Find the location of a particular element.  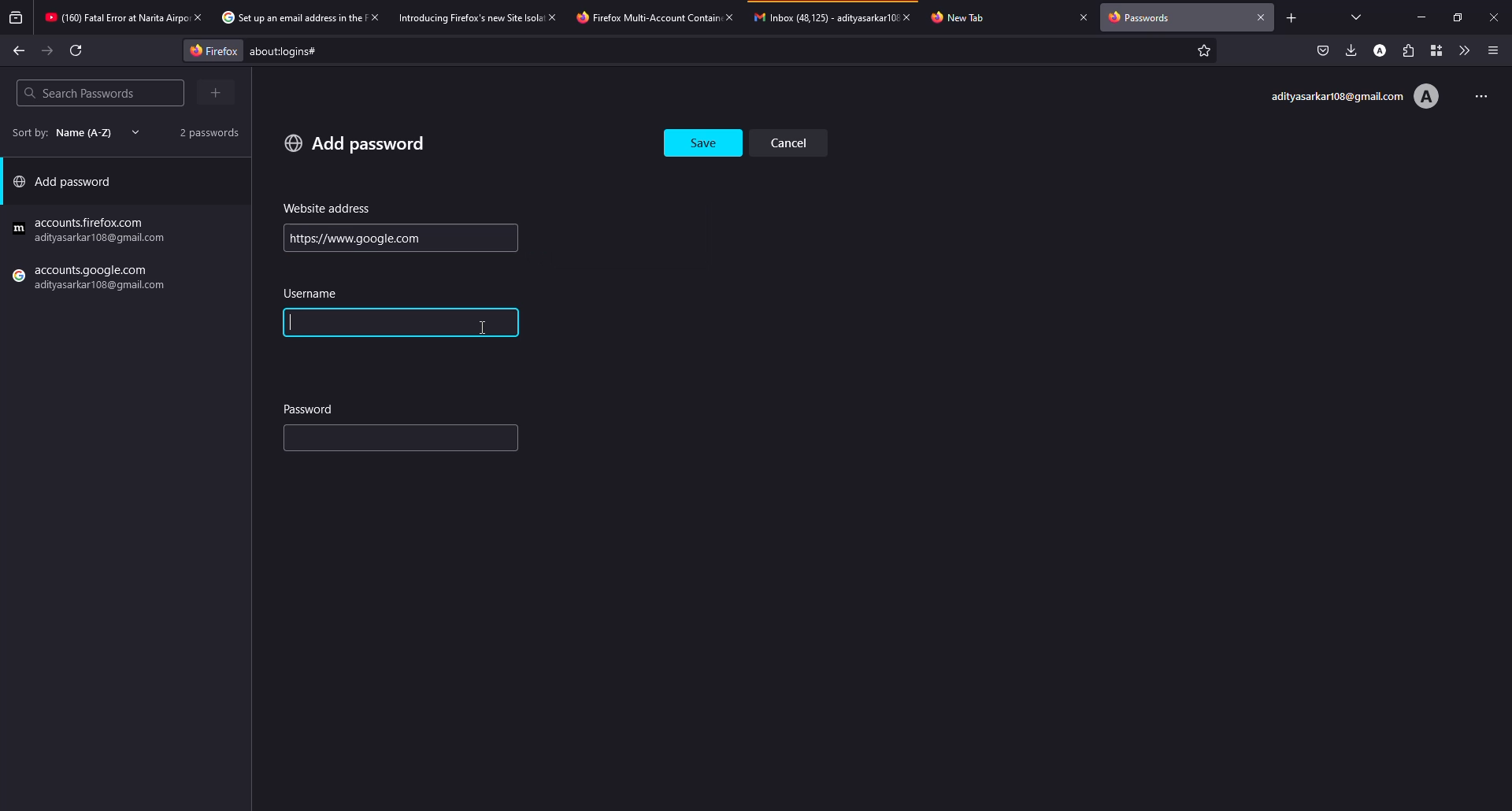

passwords is located at coordinates (1143, 19).